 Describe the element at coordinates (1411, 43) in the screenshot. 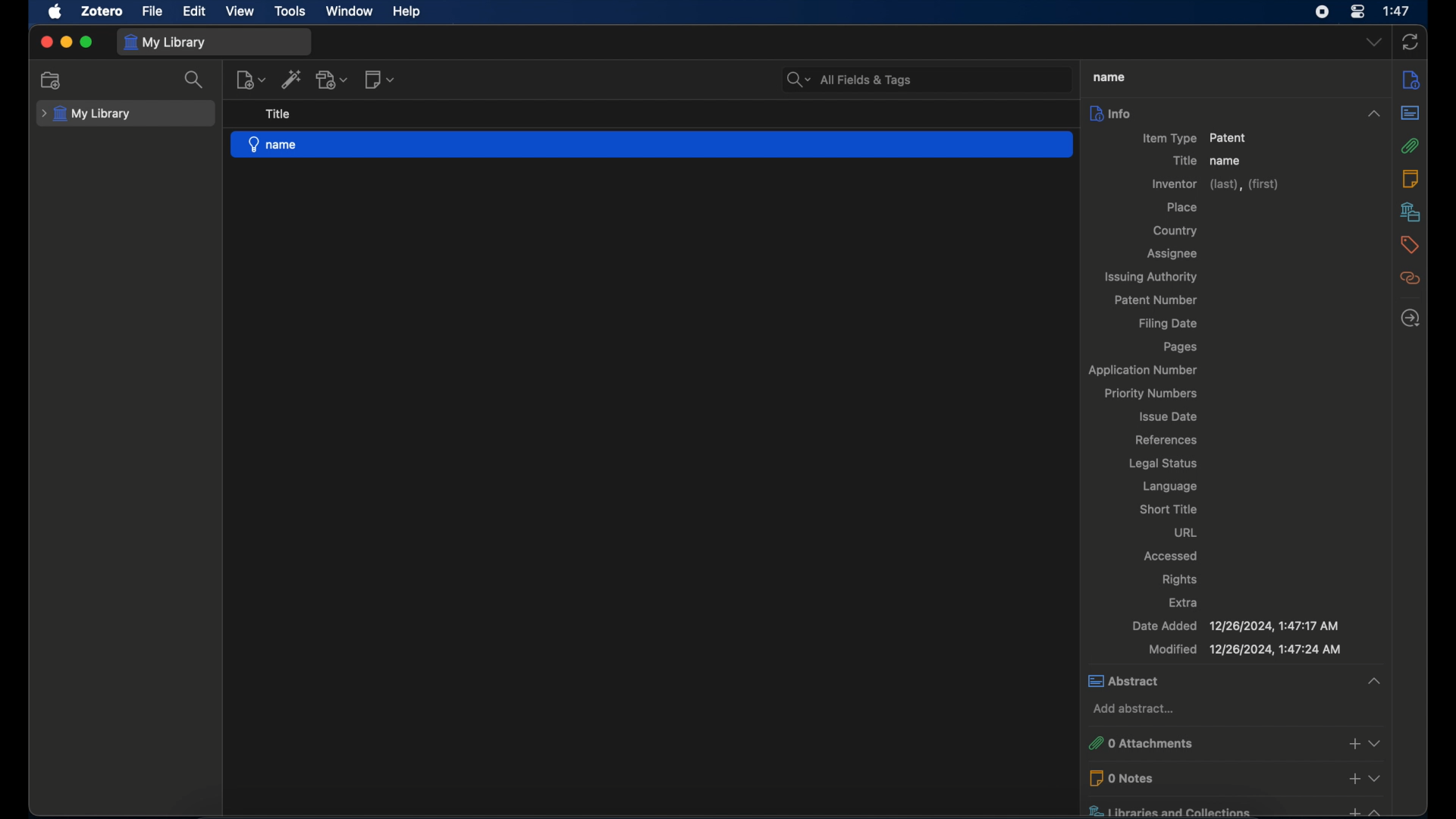

I see `sync` at that location.